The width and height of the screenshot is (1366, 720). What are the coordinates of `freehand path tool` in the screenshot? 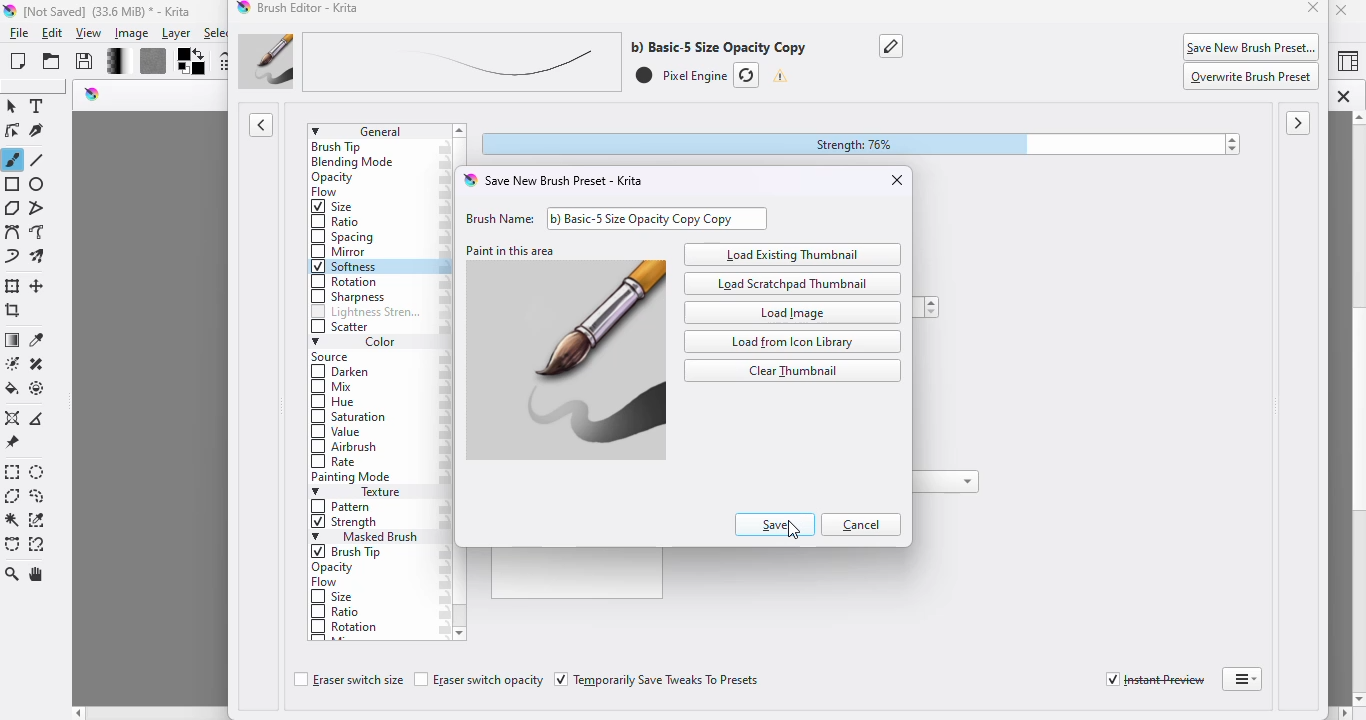 It's located at (38, 232).